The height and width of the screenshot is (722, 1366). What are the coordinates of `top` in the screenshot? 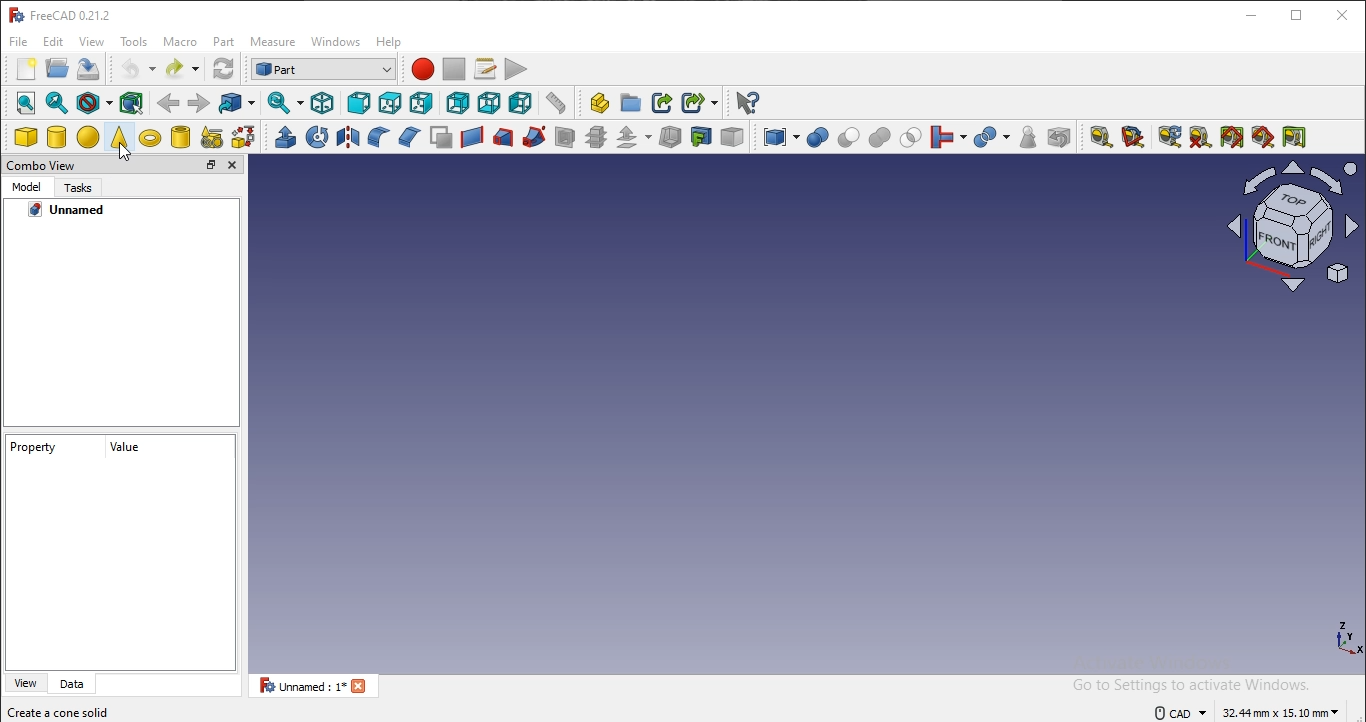 It's located at (388, 102).